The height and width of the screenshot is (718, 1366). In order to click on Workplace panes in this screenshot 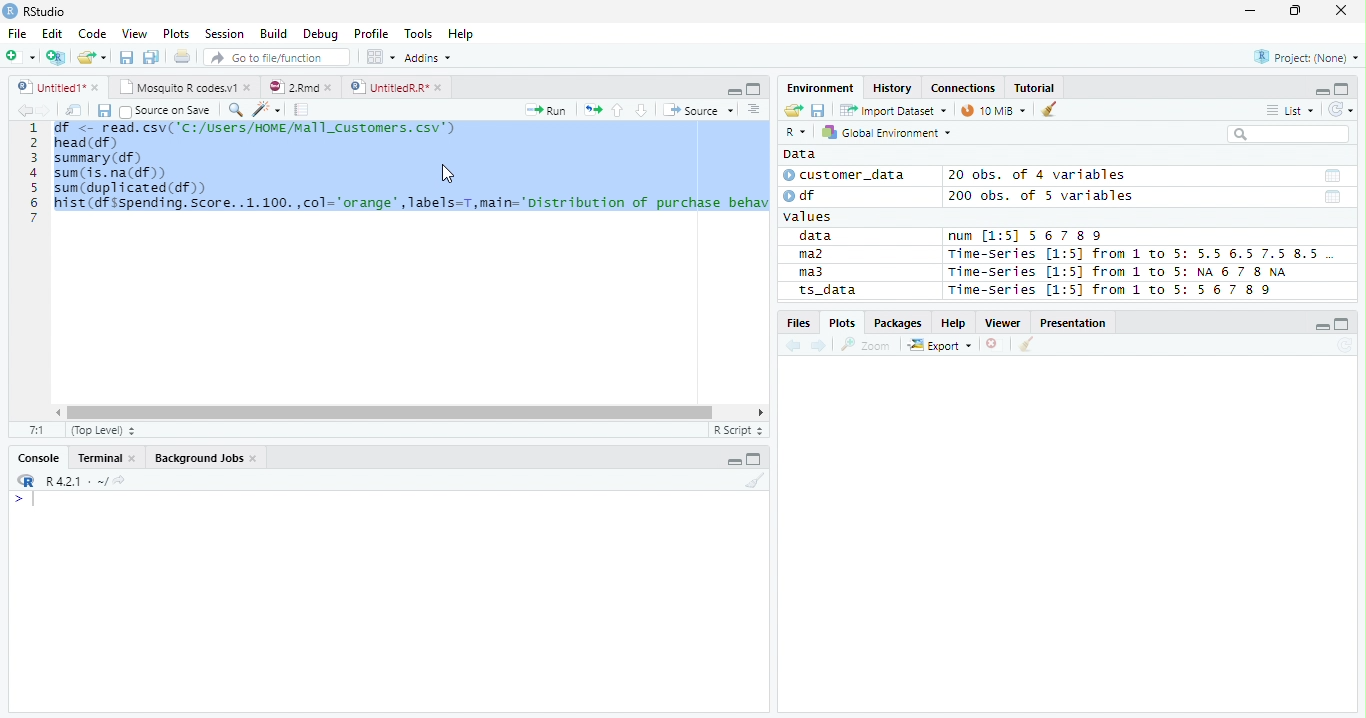, I will do `click(380, 57)`.